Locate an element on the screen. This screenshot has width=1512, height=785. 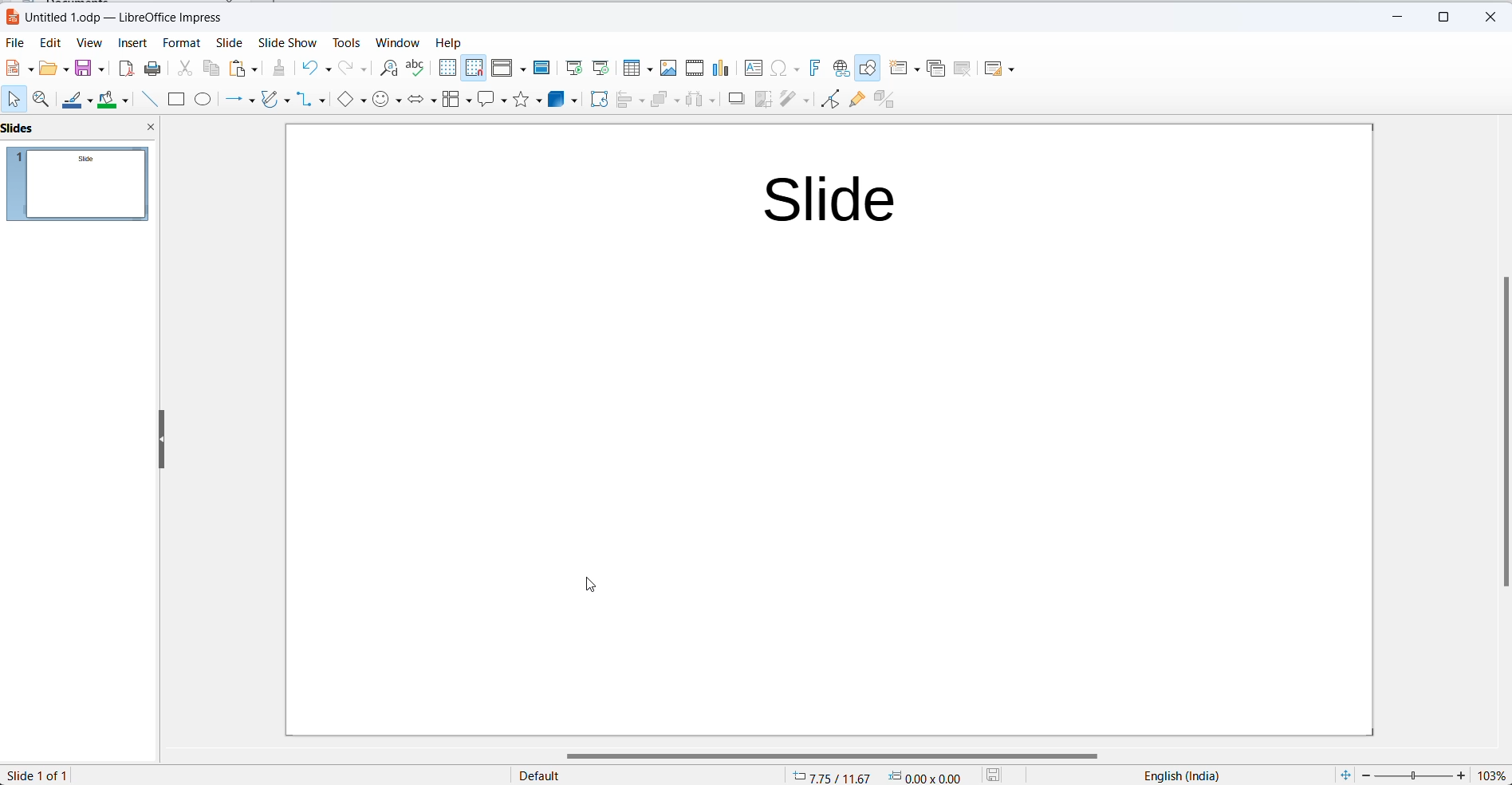
zoom percentage is located at coordinates (1492, 775).